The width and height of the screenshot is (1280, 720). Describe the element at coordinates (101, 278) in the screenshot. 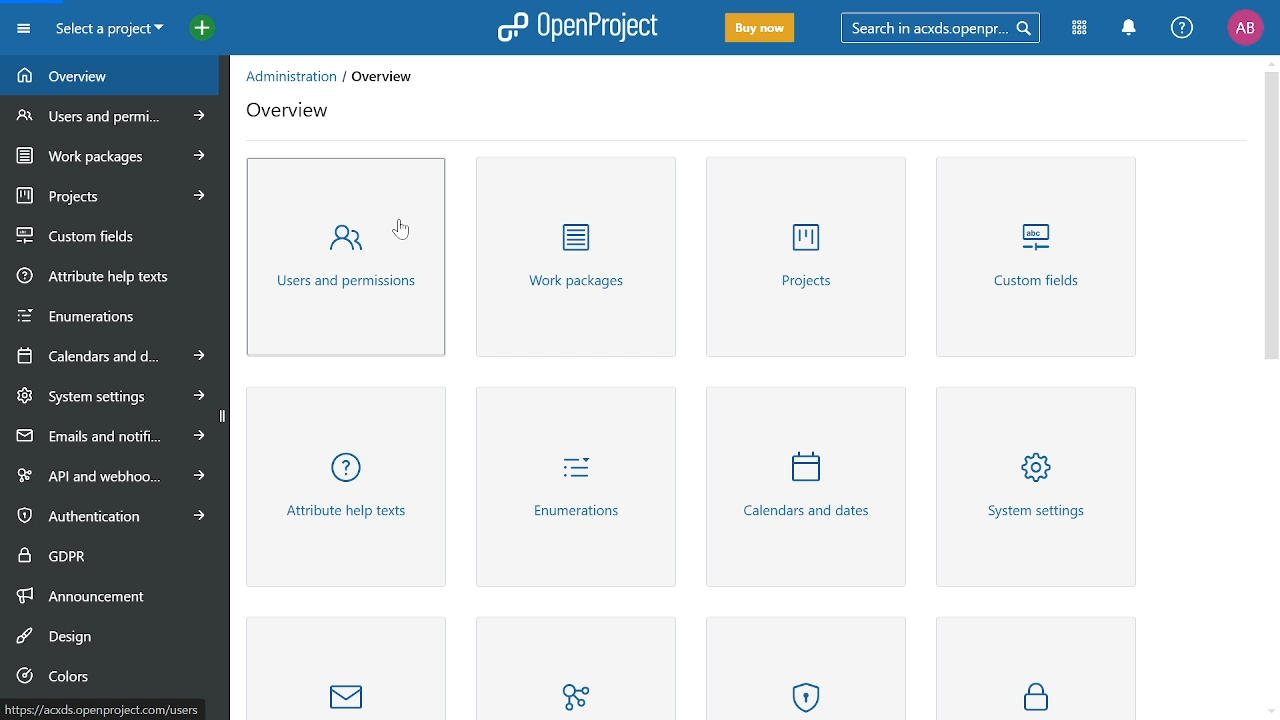

I see `Attribute help texts` at that location.